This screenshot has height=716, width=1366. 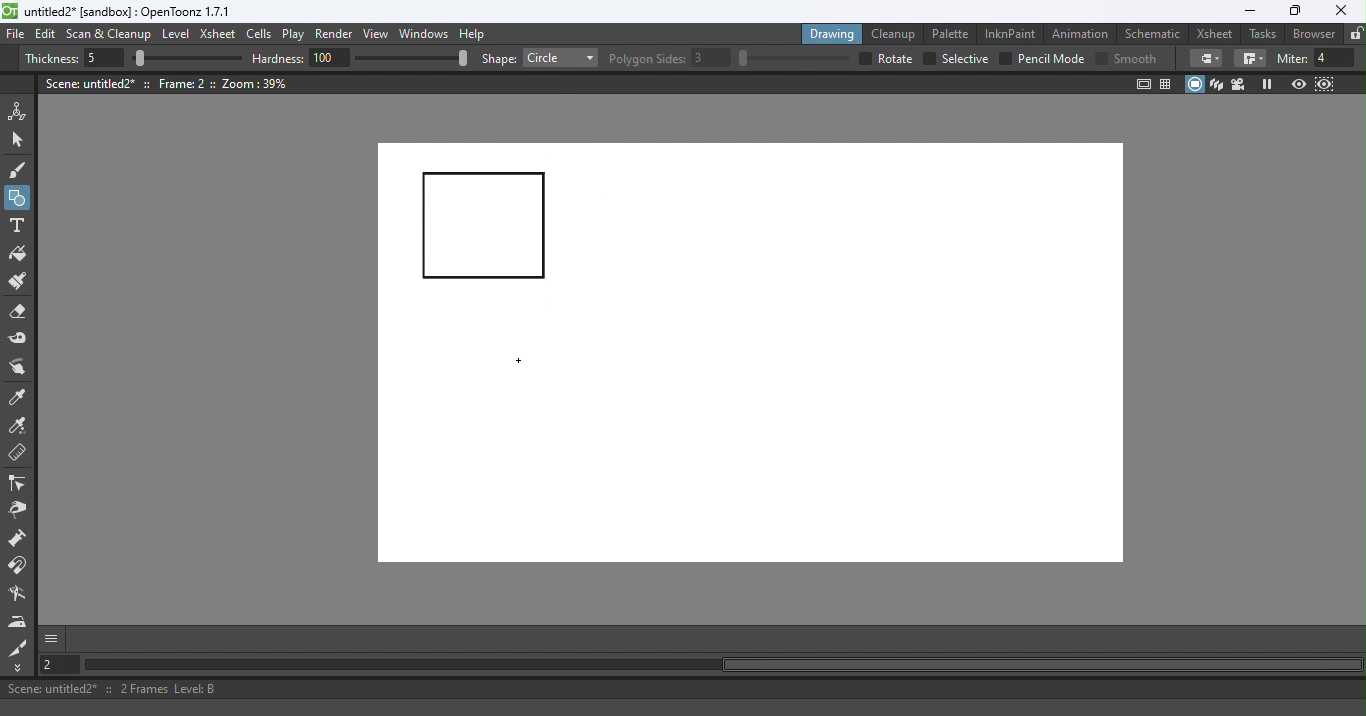 I want to click on Browser, so click(x=1311, y=33).